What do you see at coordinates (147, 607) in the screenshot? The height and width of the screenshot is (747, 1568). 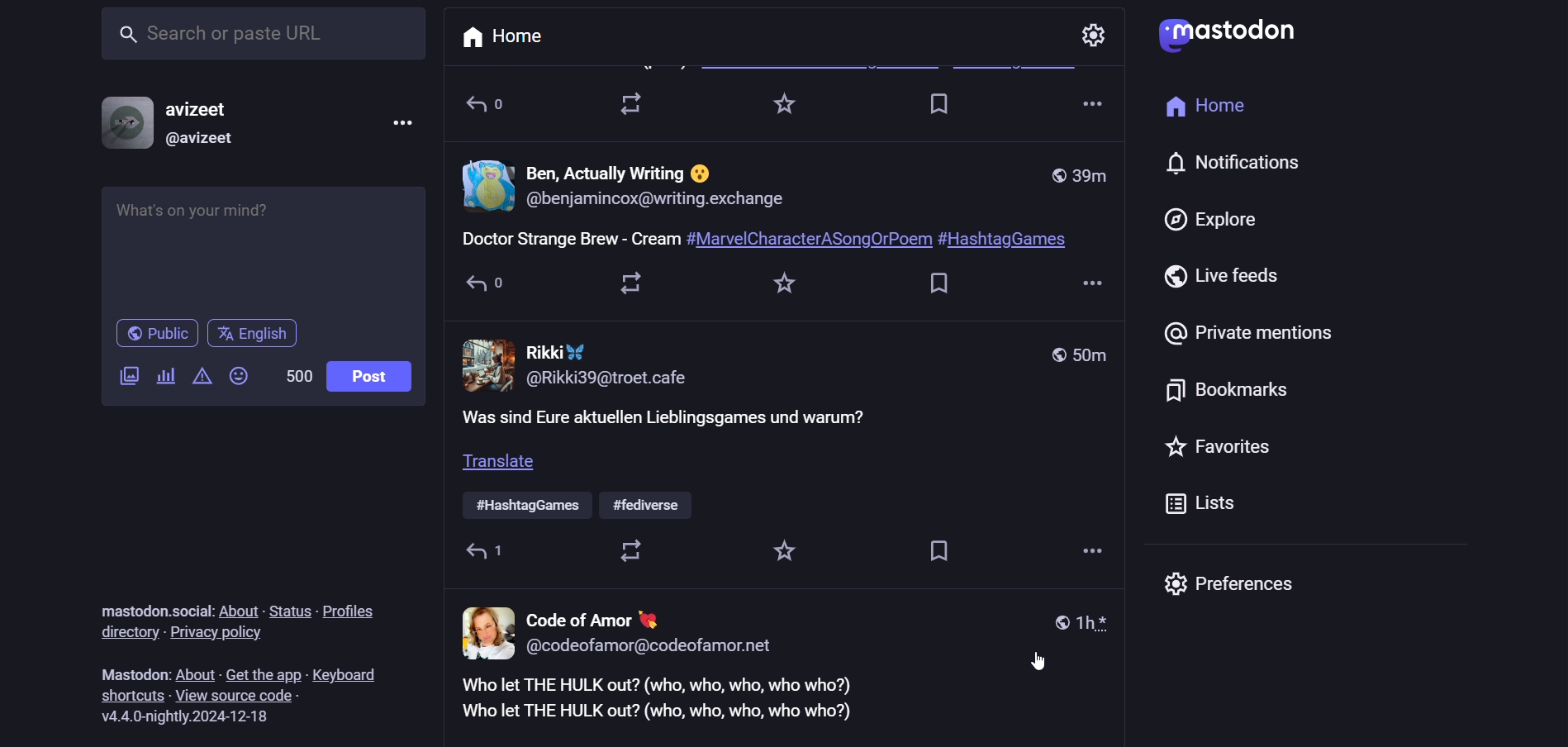 I see `mastodon.social` at bounding box center [147, 607].